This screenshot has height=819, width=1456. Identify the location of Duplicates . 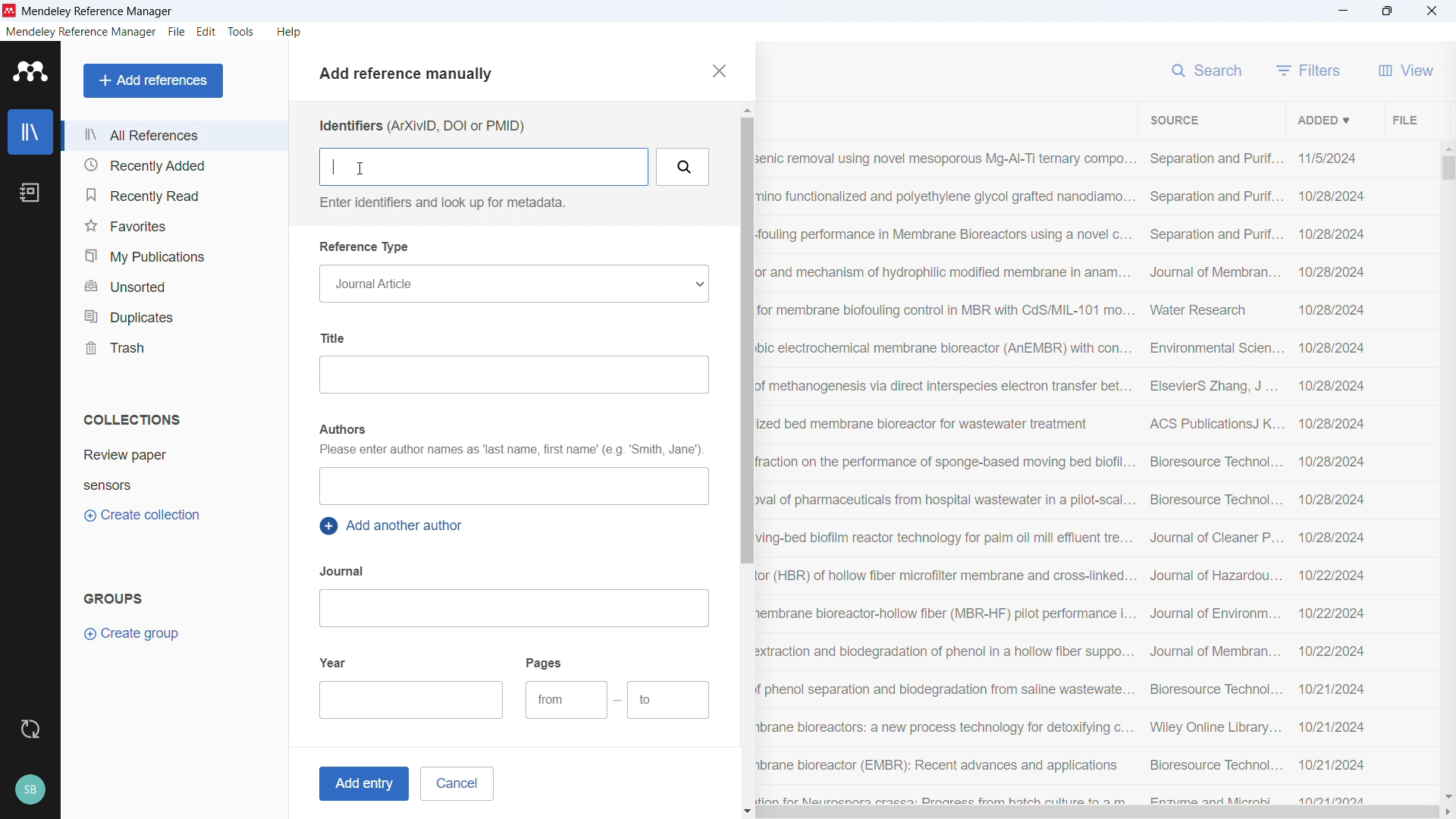
(174, 315).